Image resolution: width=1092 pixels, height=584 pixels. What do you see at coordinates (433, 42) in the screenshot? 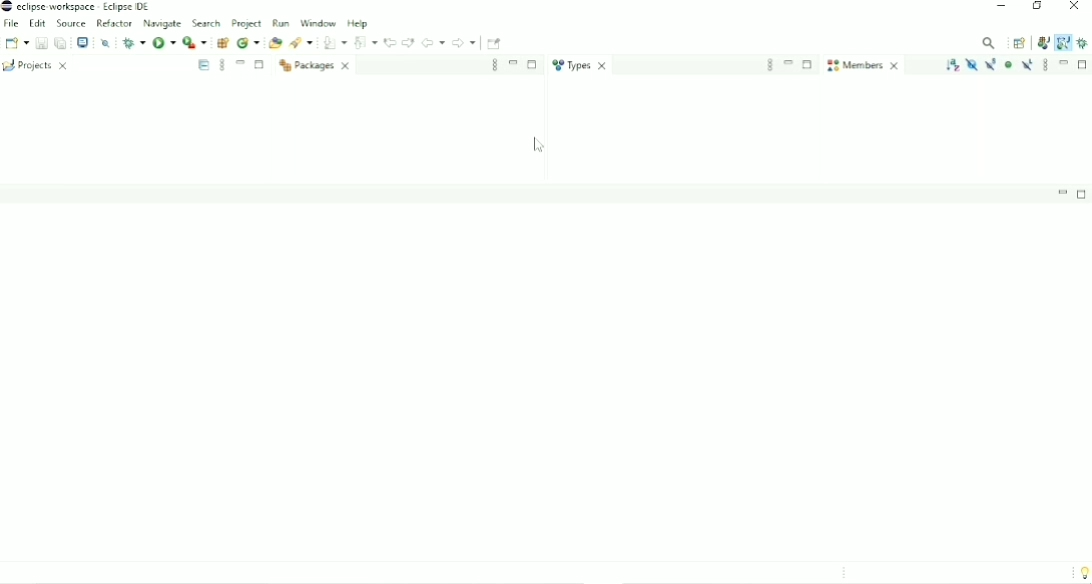
I see `back` at bounding box center [433, 42].